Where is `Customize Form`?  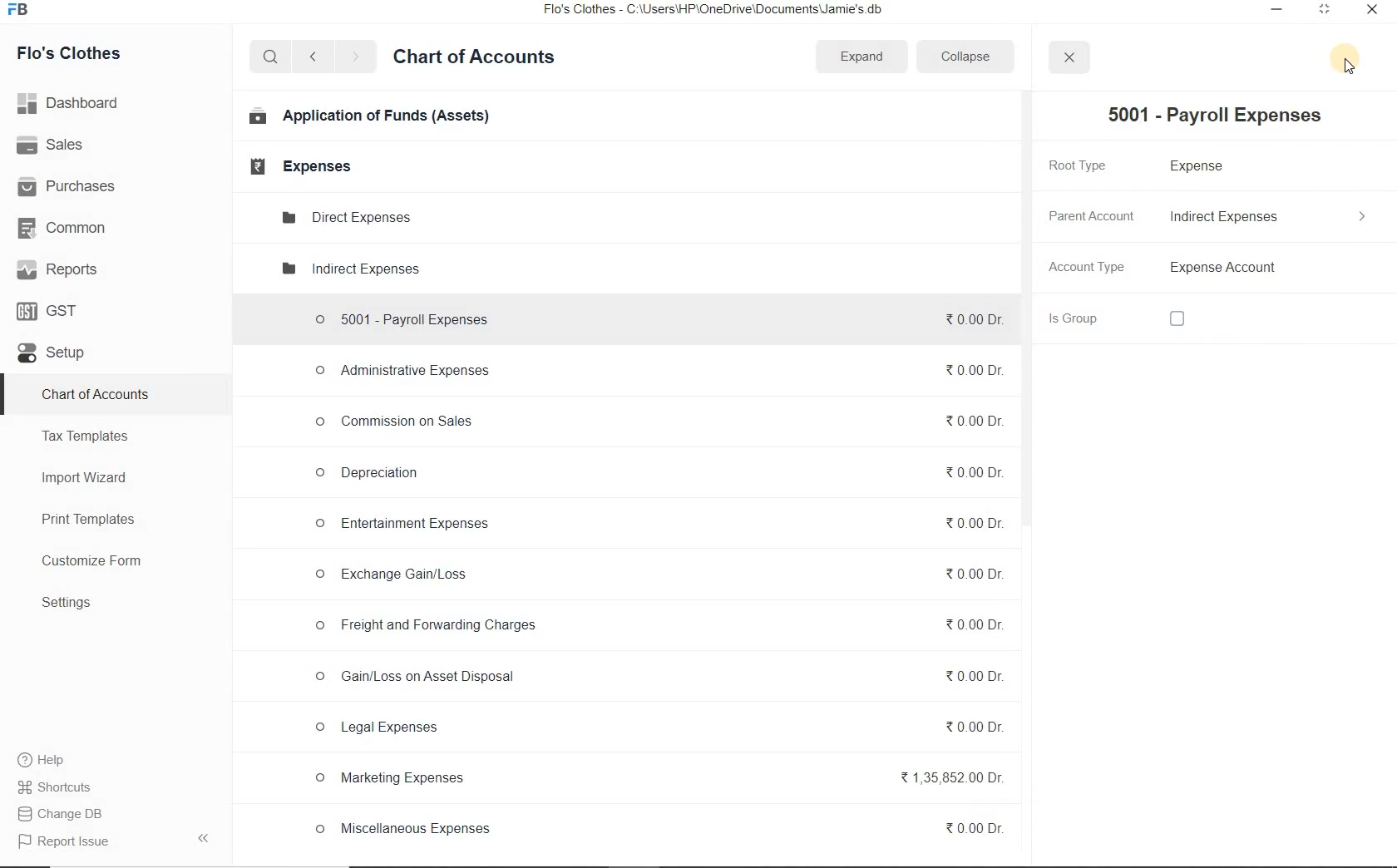 Customize Form is located at coordinates (92, 561).